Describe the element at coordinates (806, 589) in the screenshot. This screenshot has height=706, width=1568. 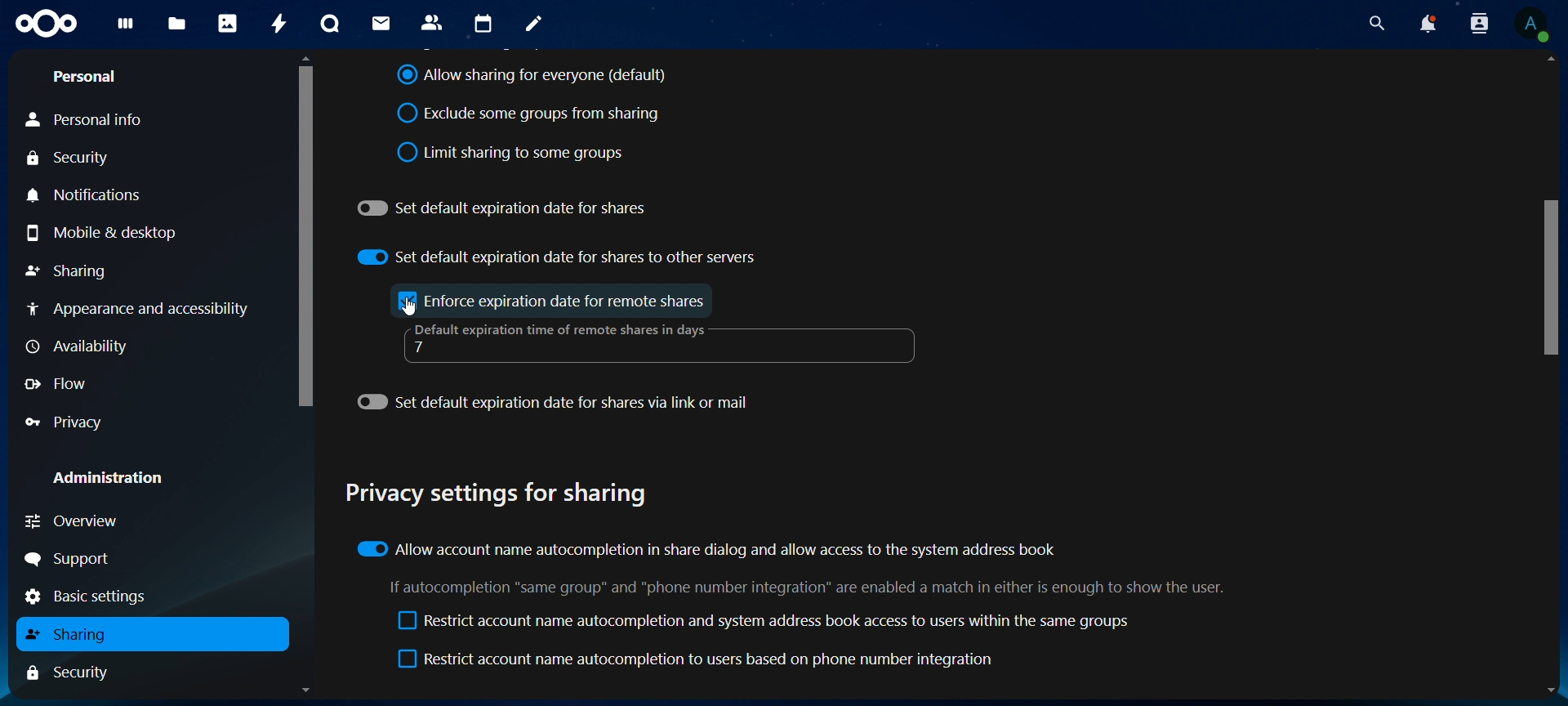
I see `text` at that location.